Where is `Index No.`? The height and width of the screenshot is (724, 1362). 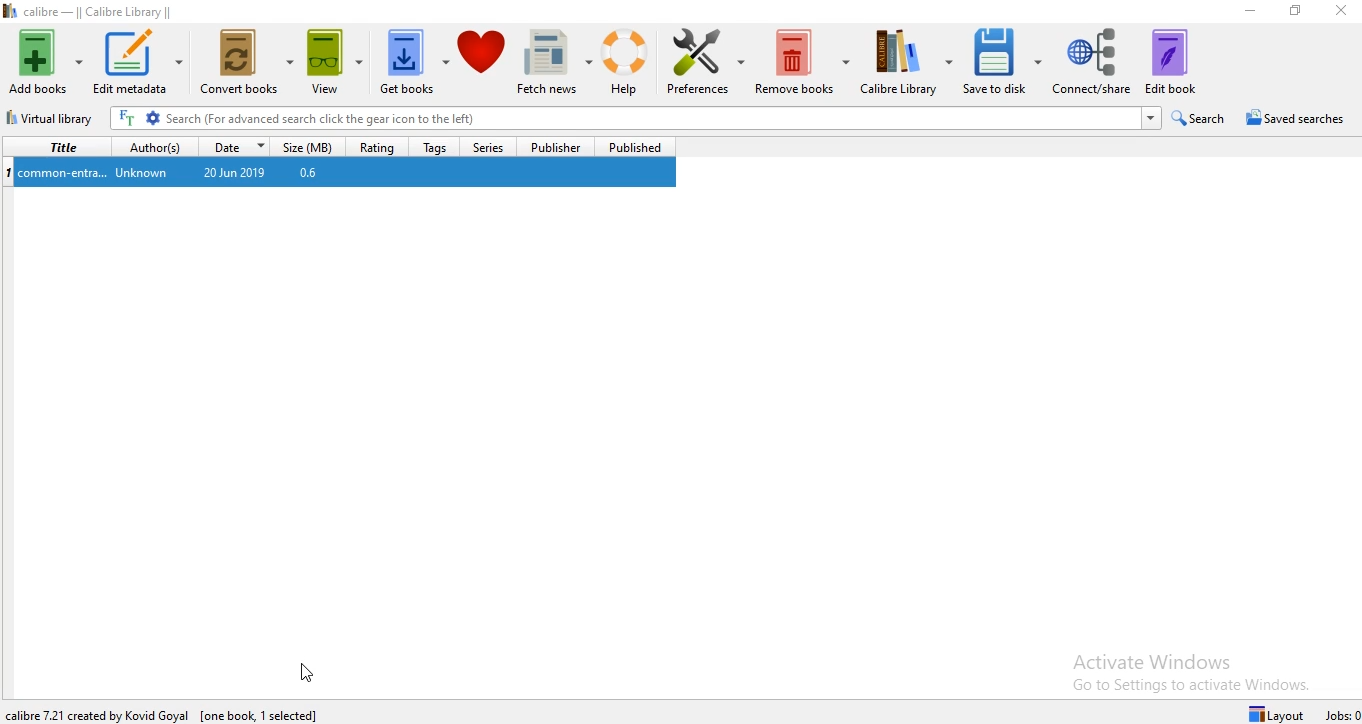 Index No. is located at coordinates (9, 170).